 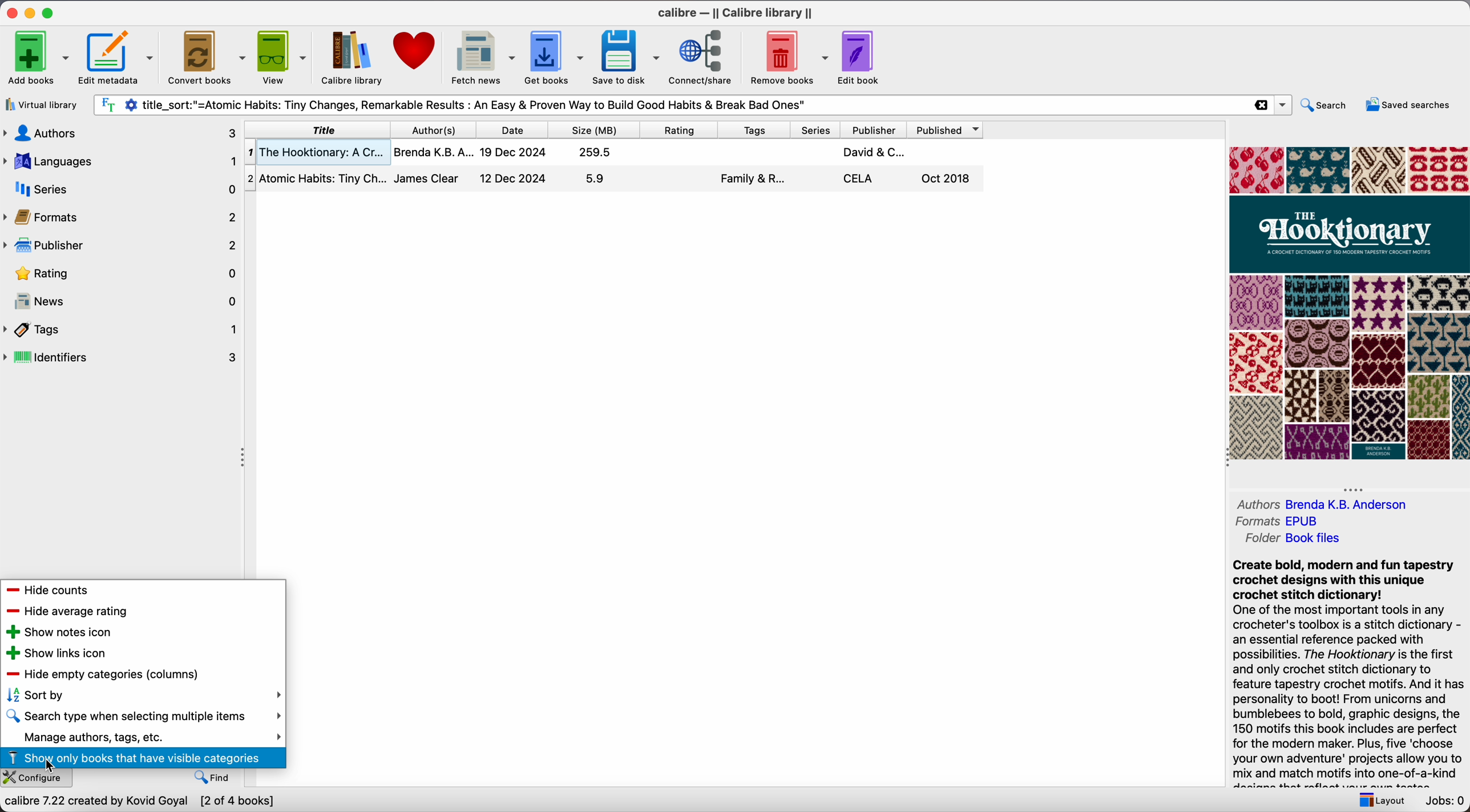 I want to click on manage authors, tags, etc, so click(x=142, y=737).